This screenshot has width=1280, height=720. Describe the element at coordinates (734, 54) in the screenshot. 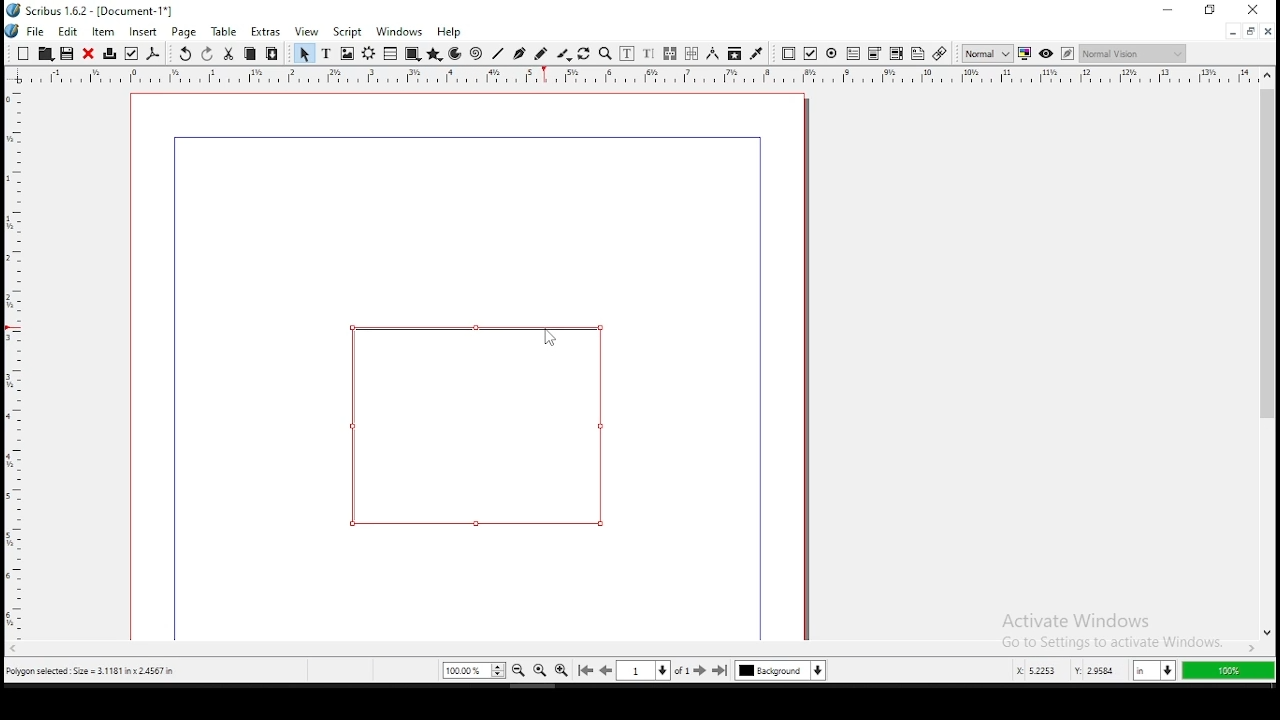

I see `copy item properties` at that location.